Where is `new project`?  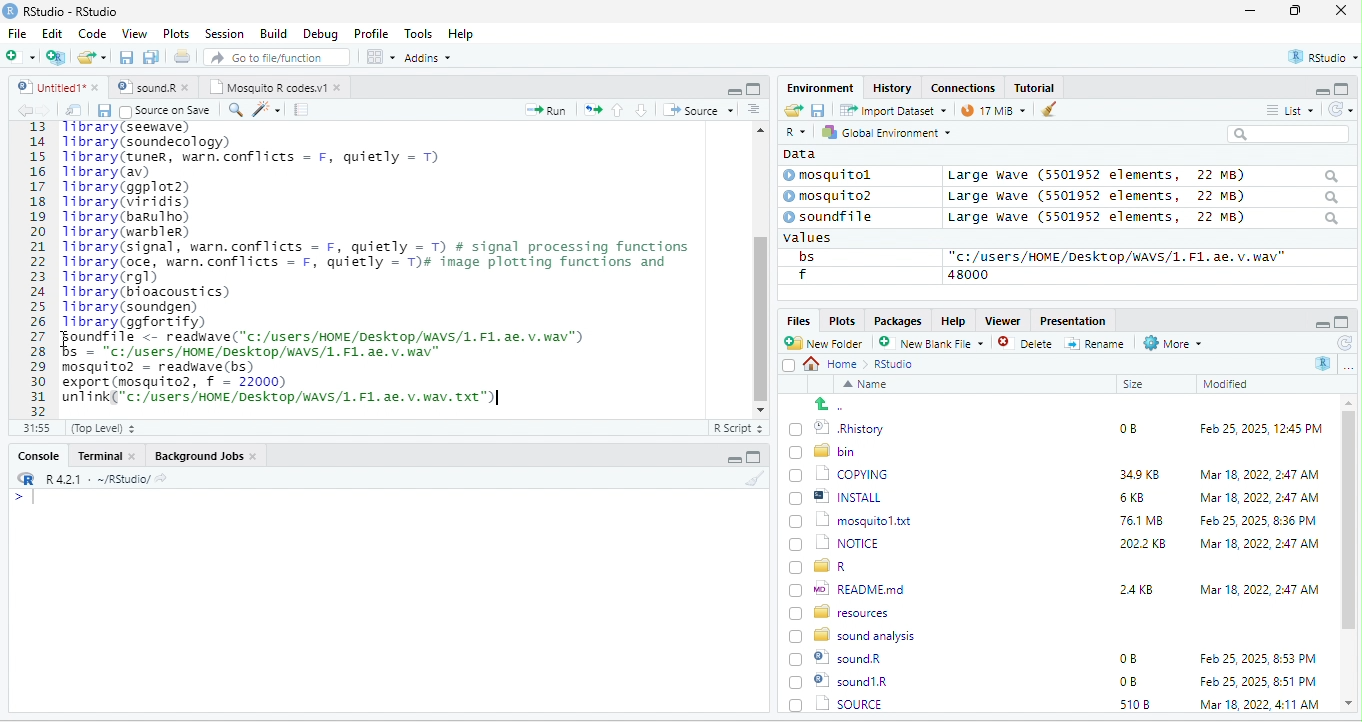 new project is located at coordinates (57, 57).